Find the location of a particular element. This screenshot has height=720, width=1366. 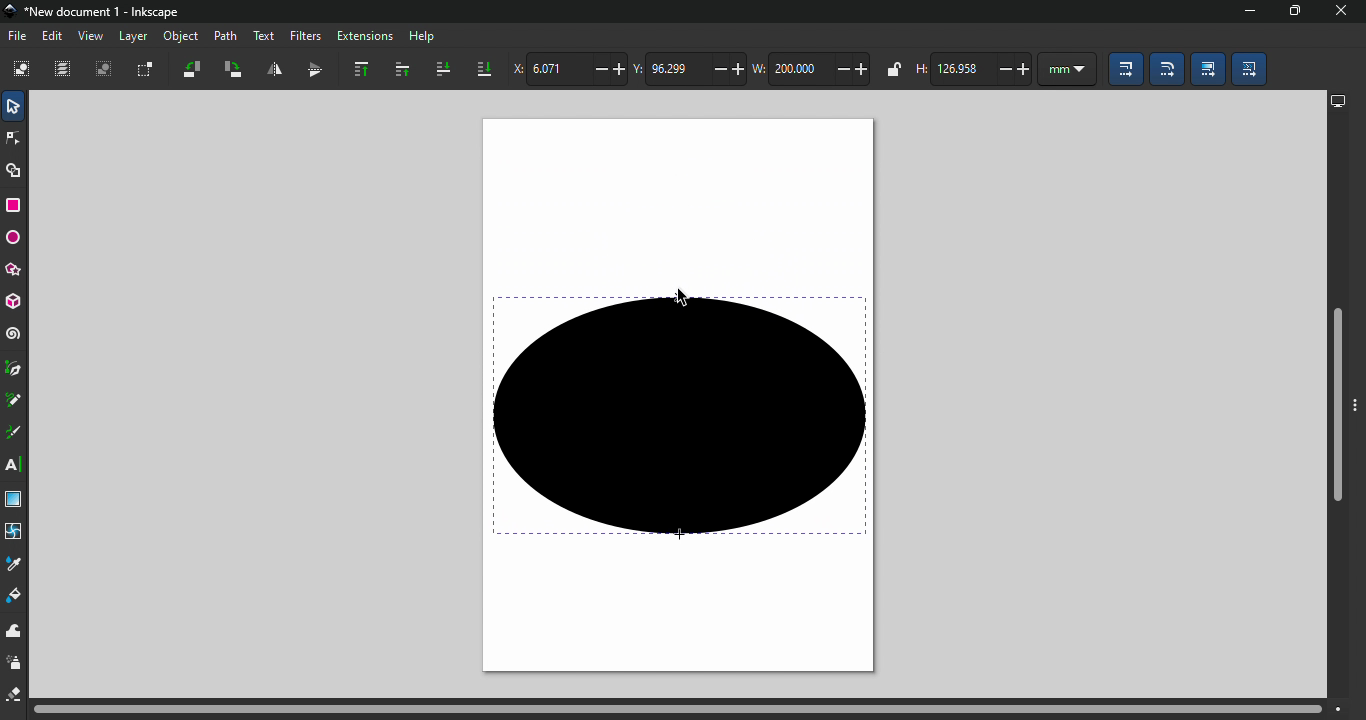

Horizontal coordinate of selection is located at coordinates (571, 70).